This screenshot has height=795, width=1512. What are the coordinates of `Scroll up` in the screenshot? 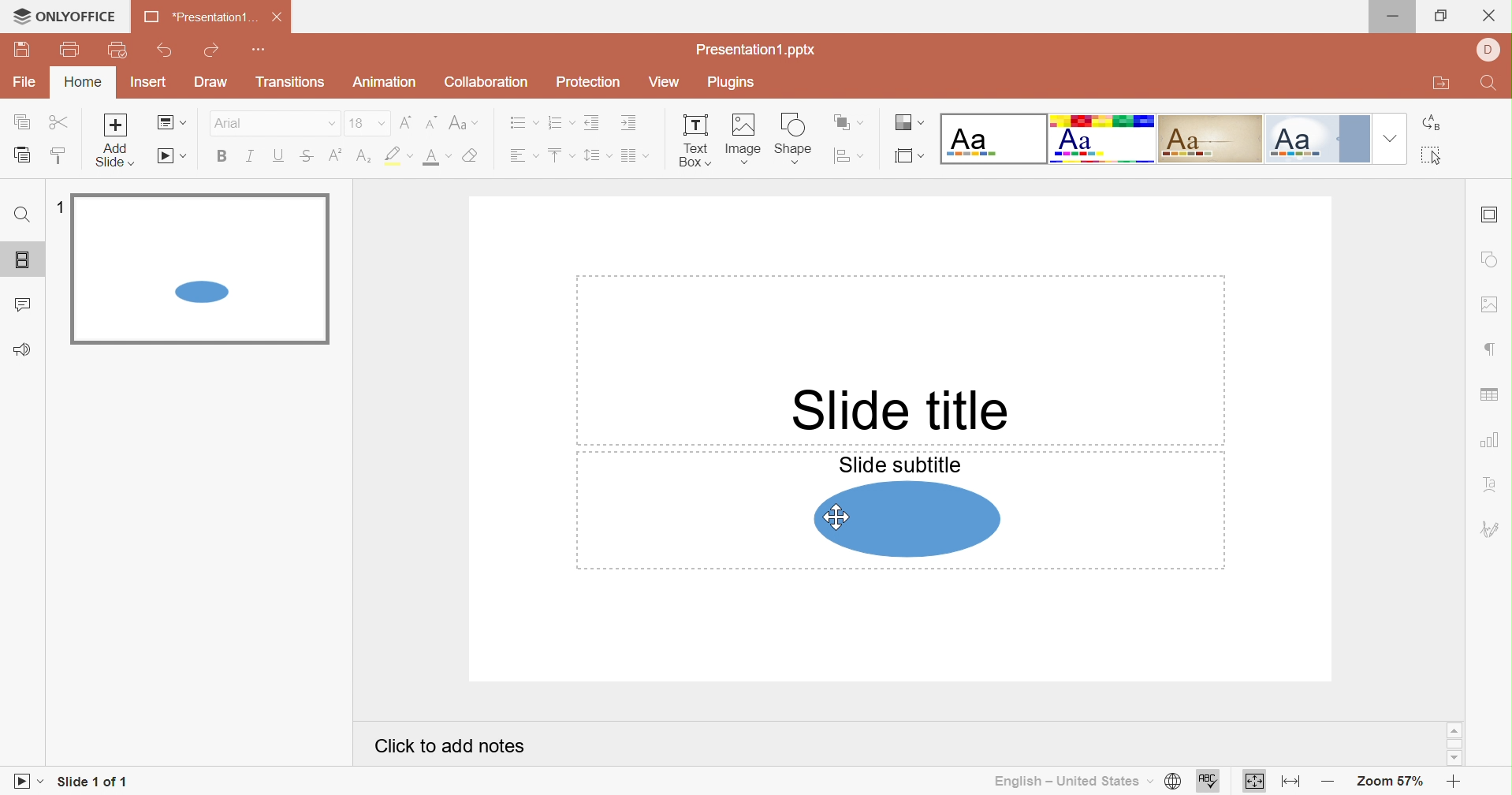 It's located at (1454, 731).